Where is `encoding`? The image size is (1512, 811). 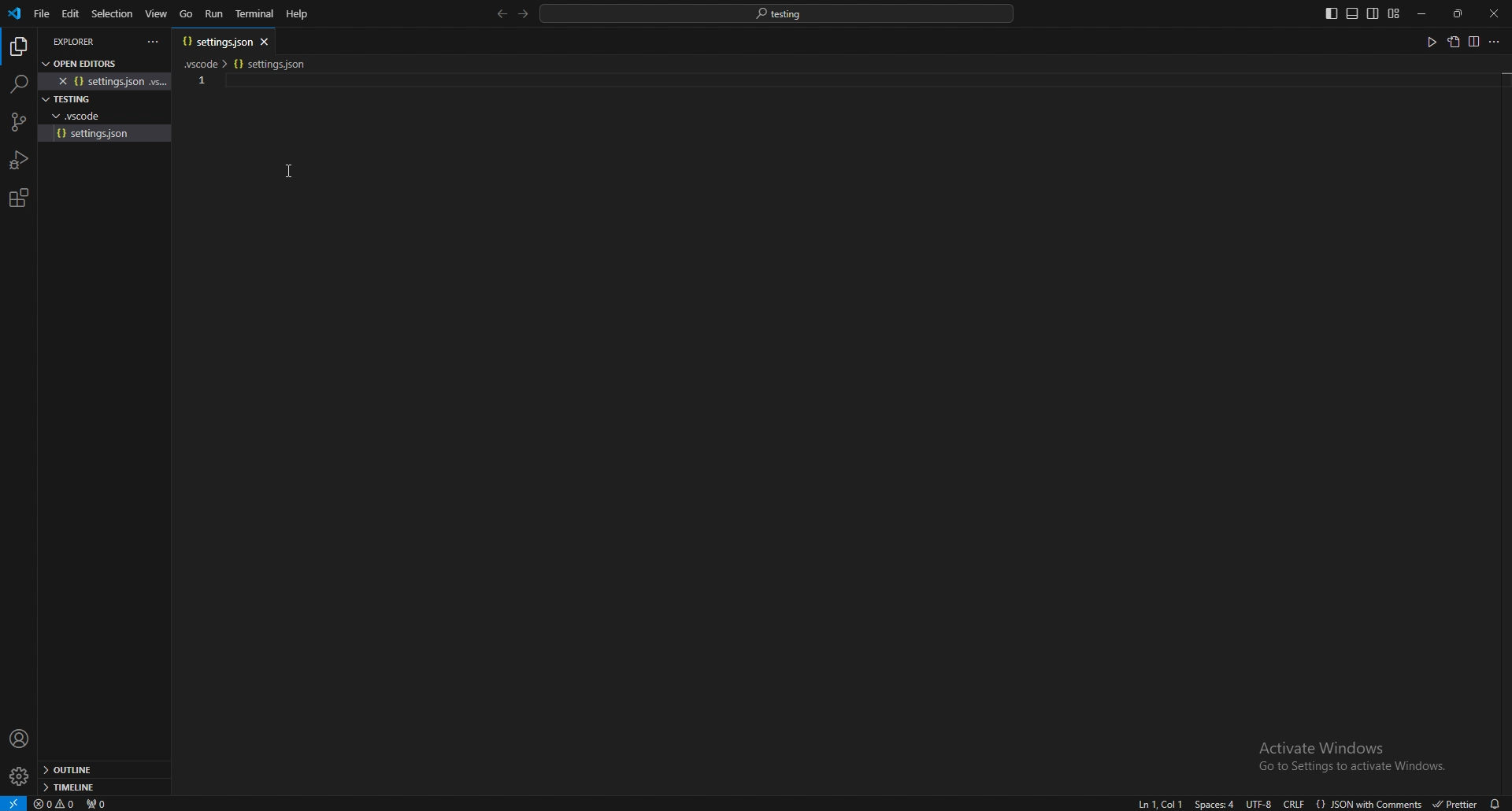
encoding is located at coordinates (1260, 805).